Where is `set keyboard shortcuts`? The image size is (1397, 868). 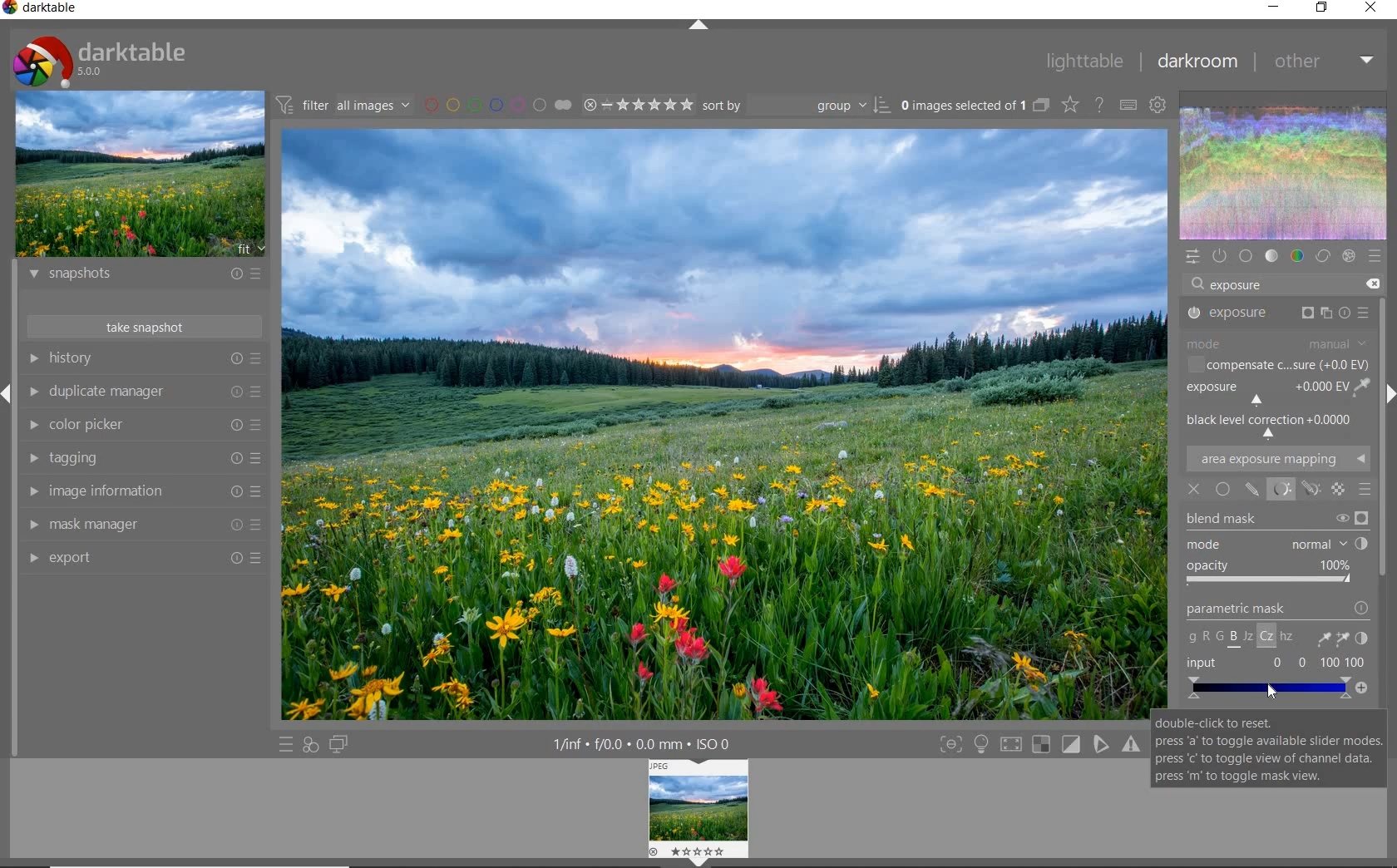 set keyboard shortcuts is located at coordinates (1129, 106).